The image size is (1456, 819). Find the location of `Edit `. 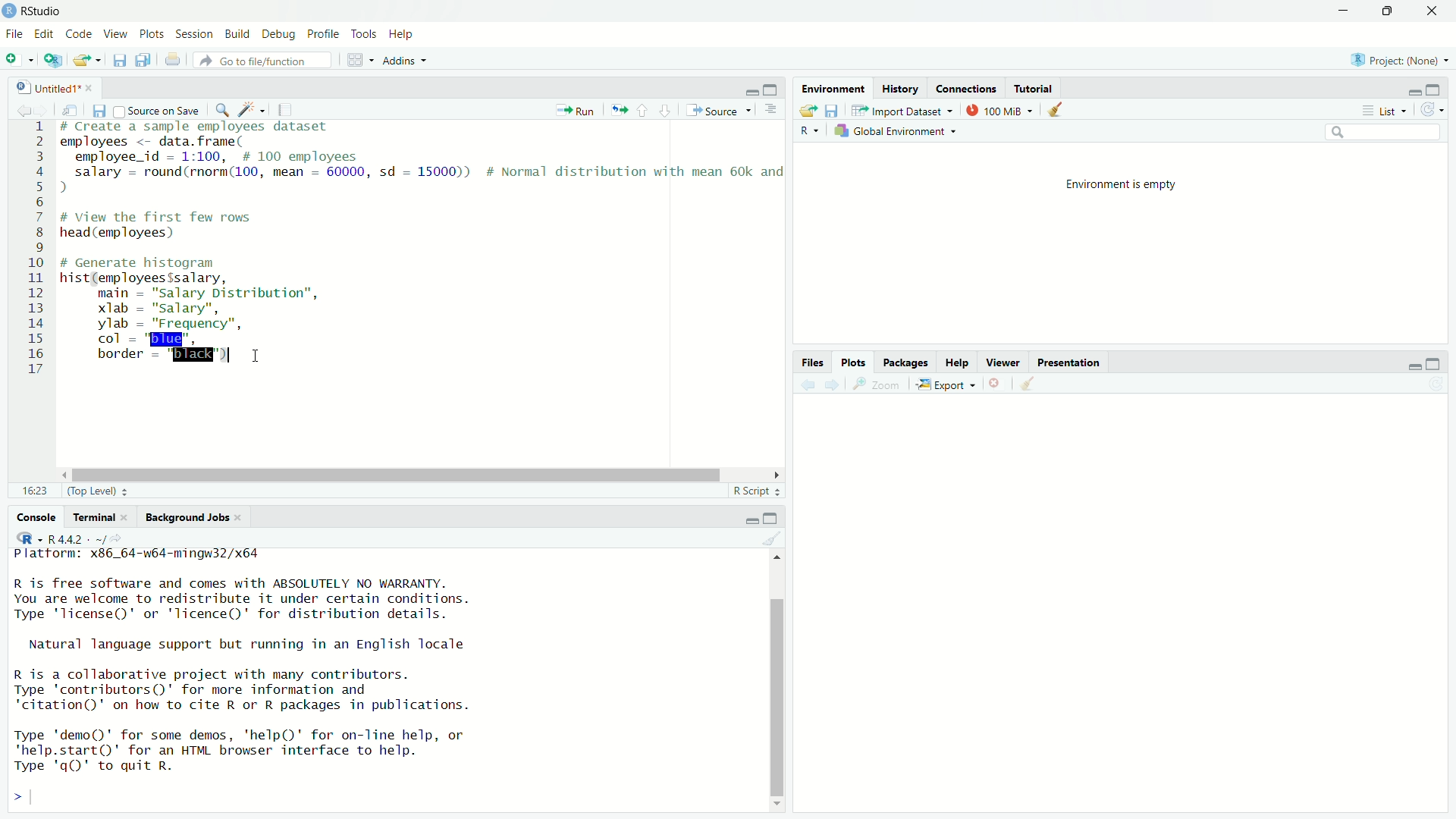

Edit  is located at coordinates (253, 108).